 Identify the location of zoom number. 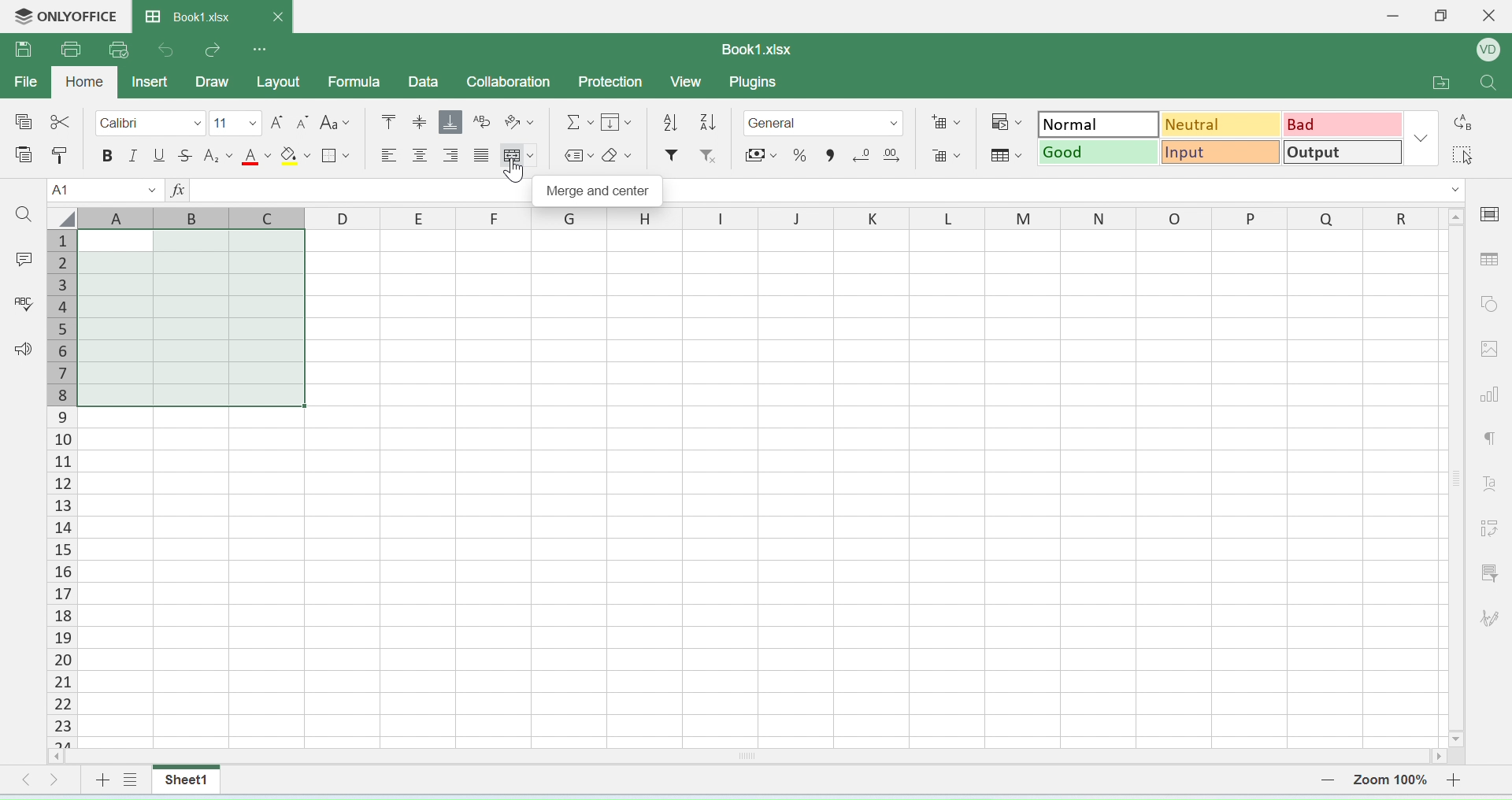
(1388, 779).